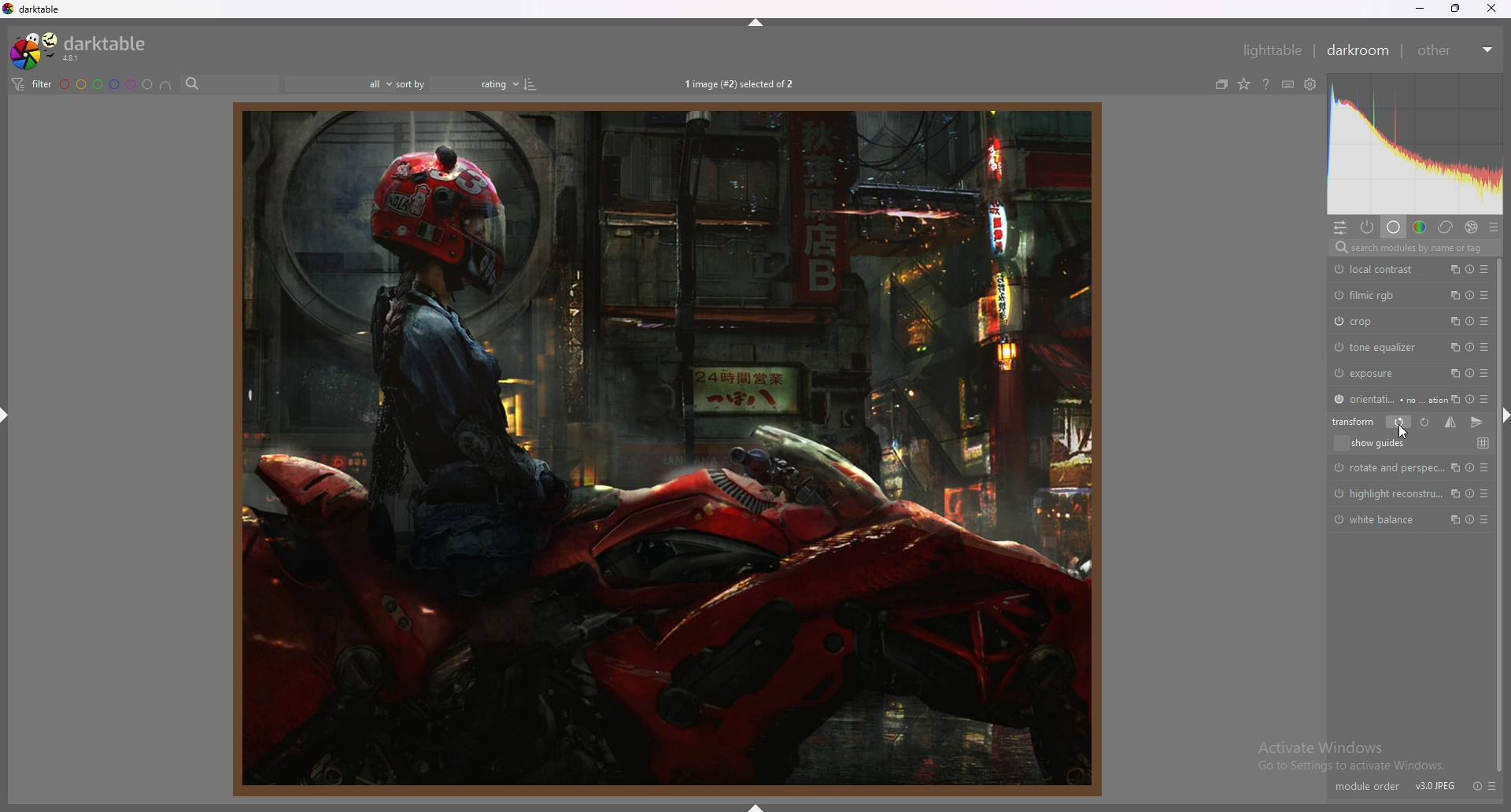 Image resolution: width=1511 pixels, height=812 pixels. Describe the element at coordinates (1479, 422) in the screenshot. I see `flip vertically` at that location.